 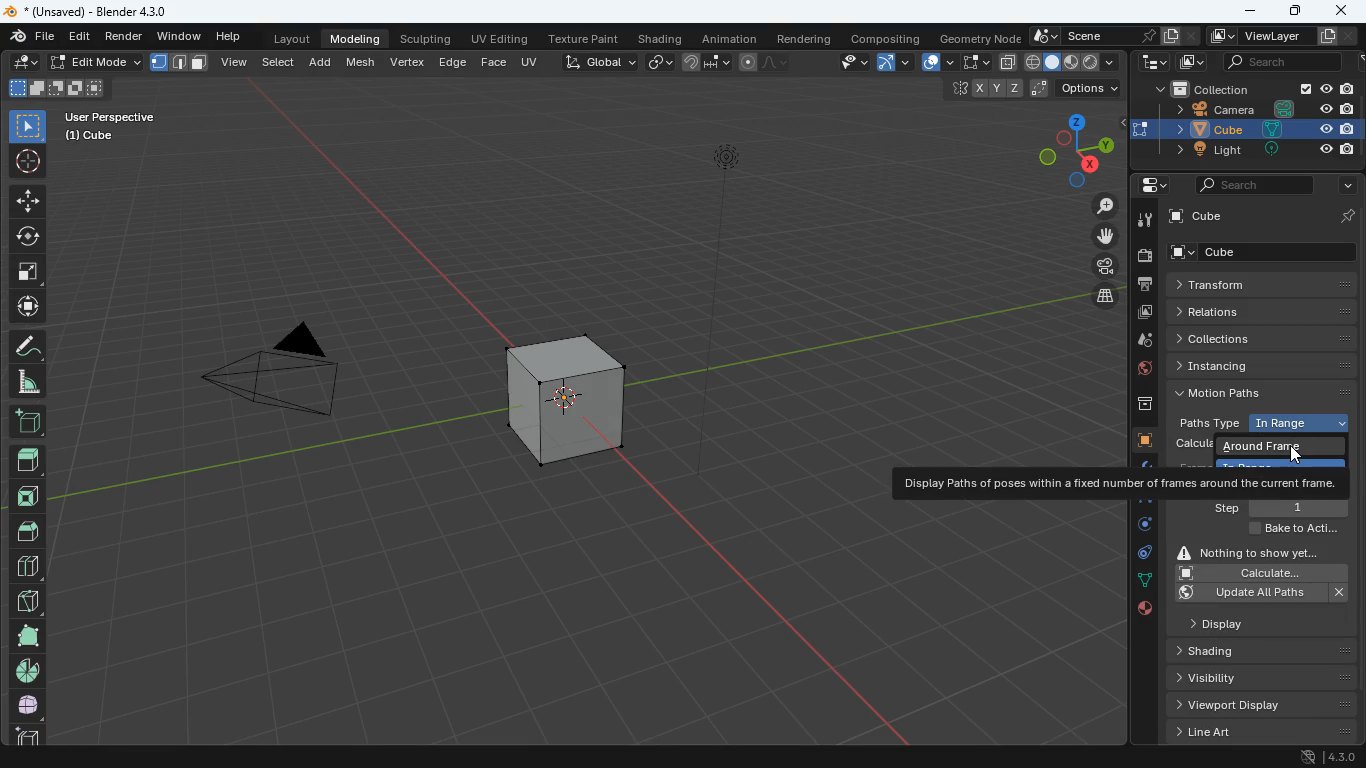 What do you see at coordinates (27, 597) in the screenshot?
I see `diagonal` at bounding box center [27, 597].